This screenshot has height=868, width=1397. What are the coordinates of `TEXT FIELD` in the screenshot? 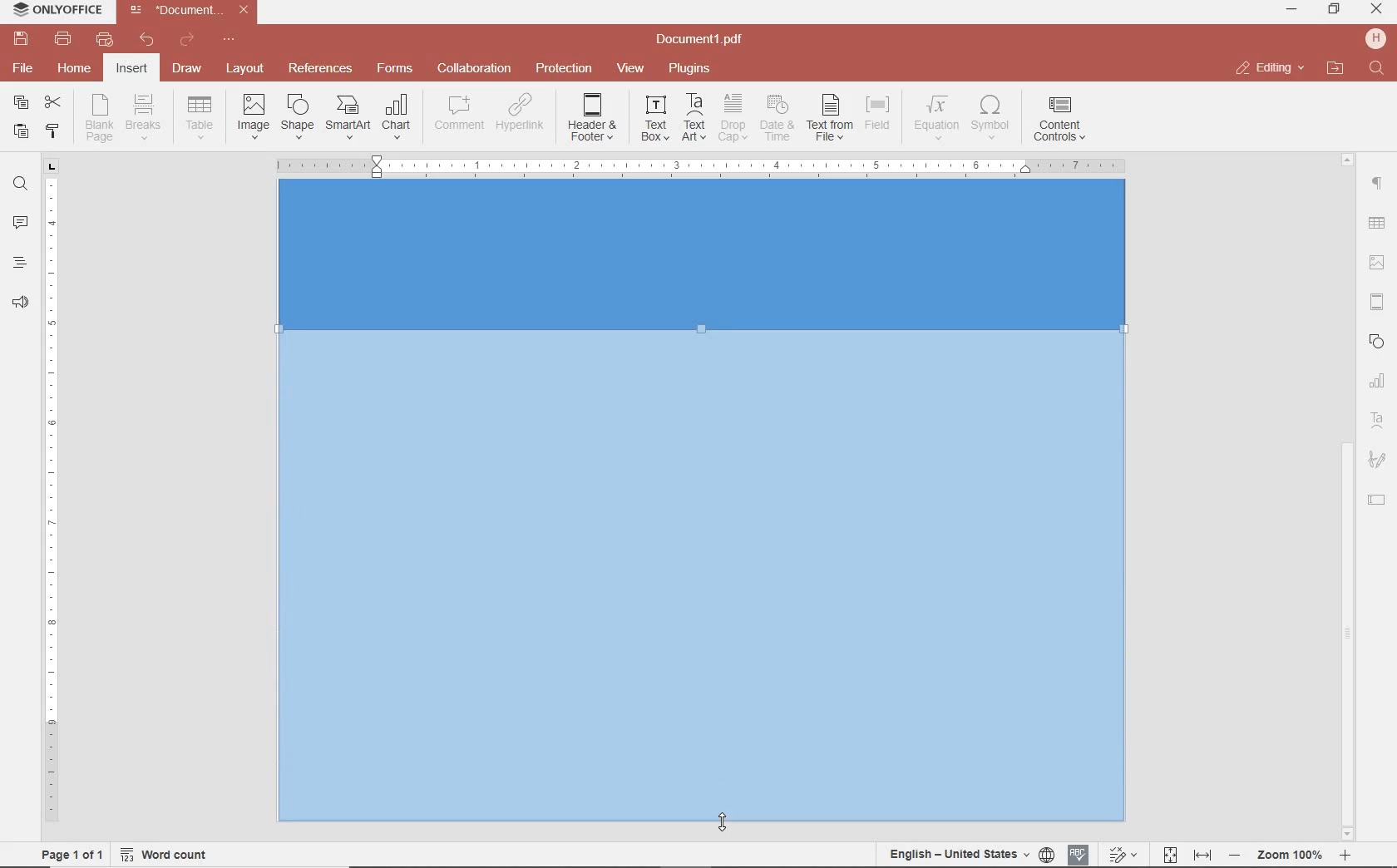 It's located at (1377, 499).